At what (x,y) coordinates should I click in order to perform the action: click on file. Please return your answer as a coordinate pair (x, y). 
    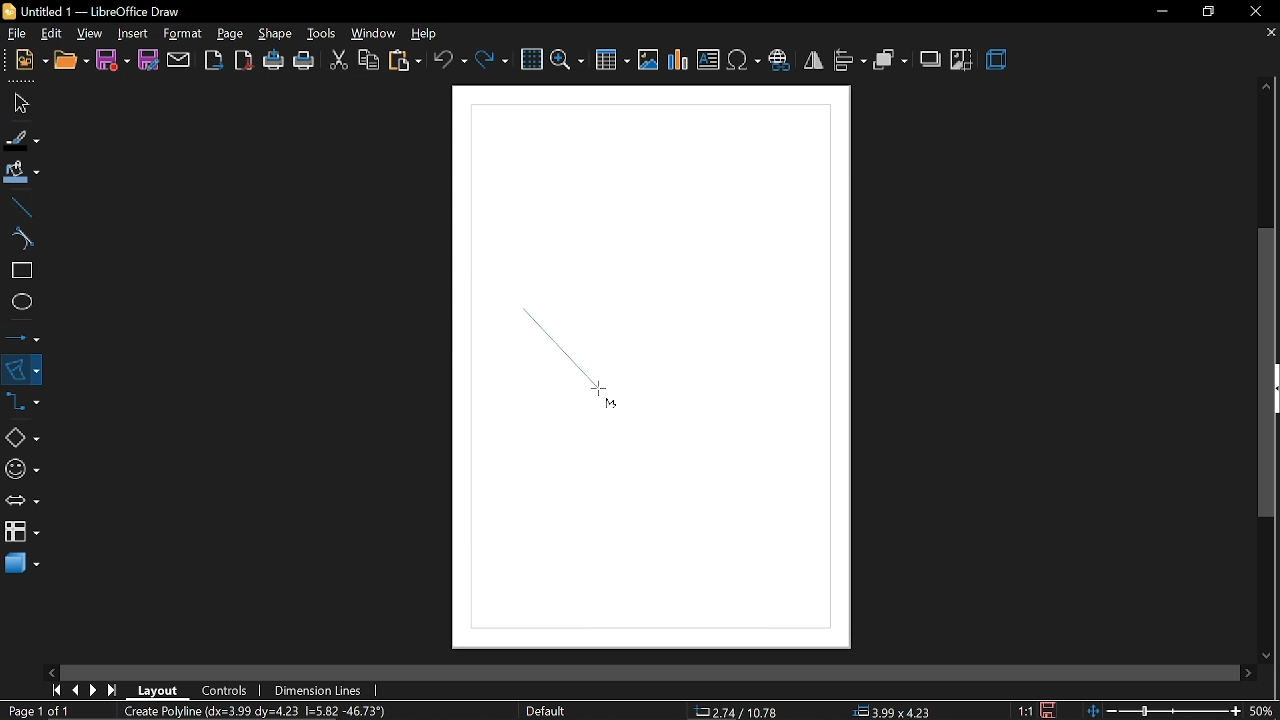
    Looking at the image, I should click on (17, 34).